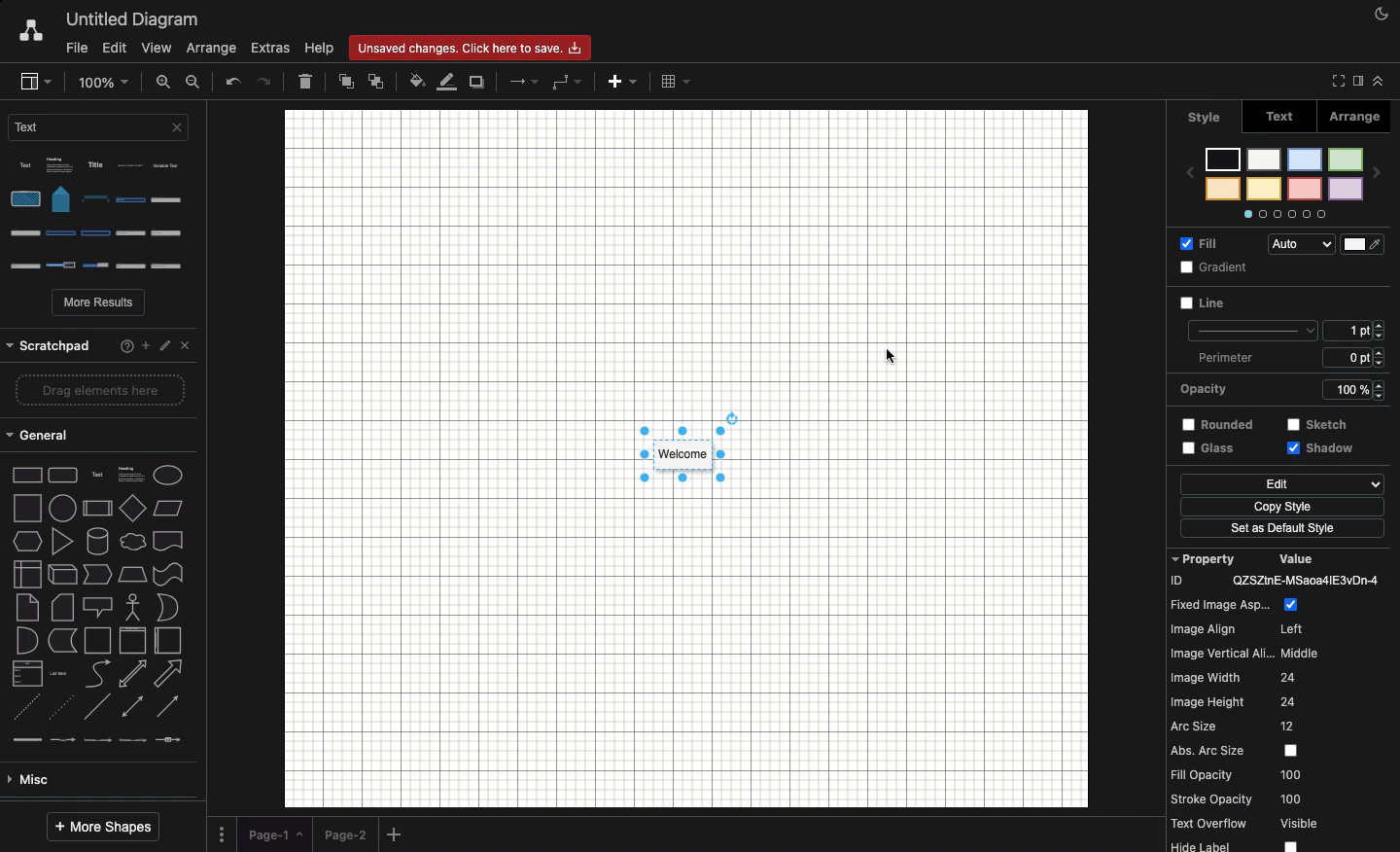  What do you see at coordinates (1357, 120) in the screenshot?
I see `Arrange` at bounding box center [1357, 120].